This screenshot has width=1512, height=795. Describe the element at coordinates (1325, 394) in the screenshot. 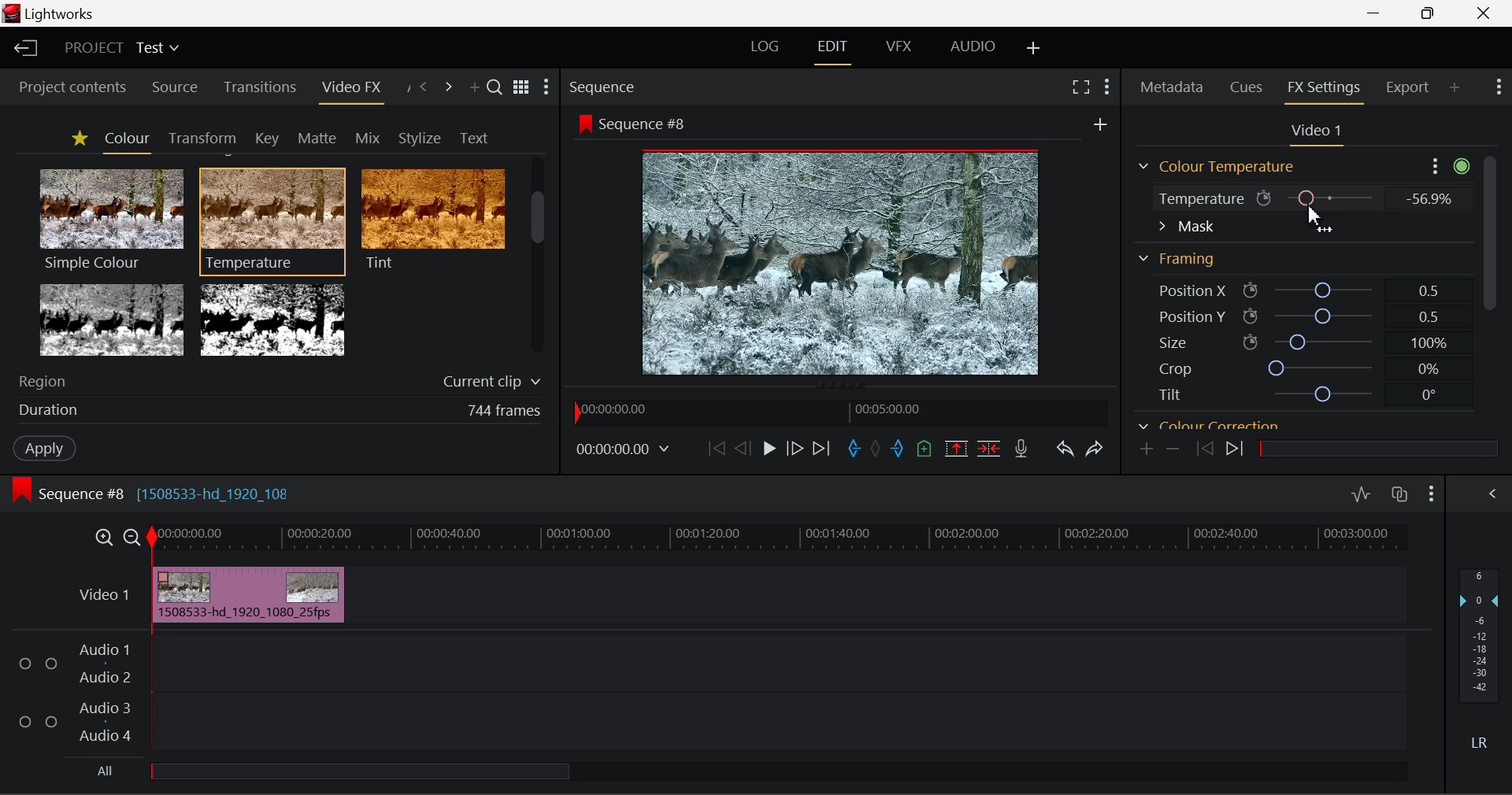

I see `tilt` at that location.